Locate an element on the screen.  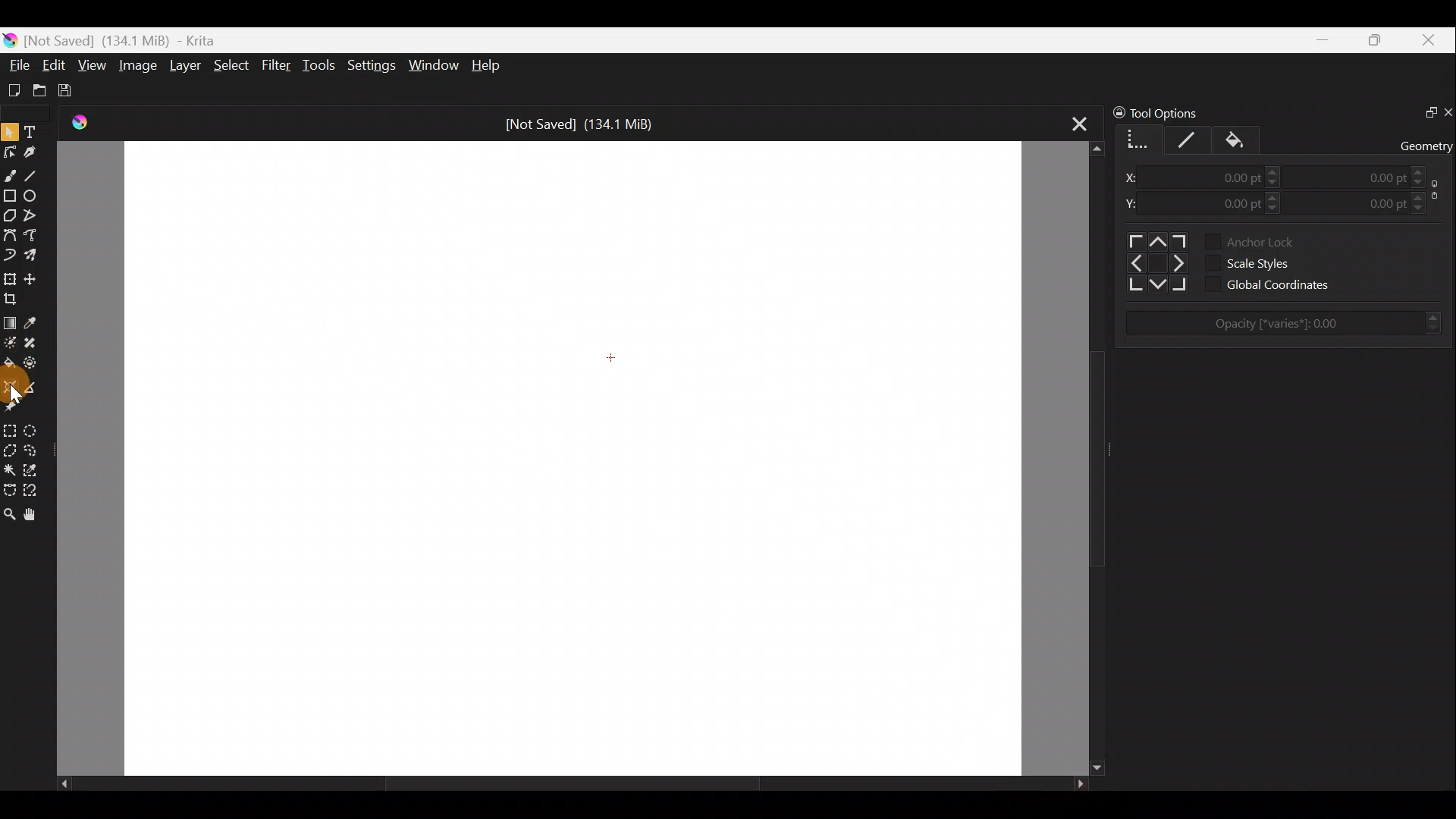
Window is located at coordinates (436, 64).